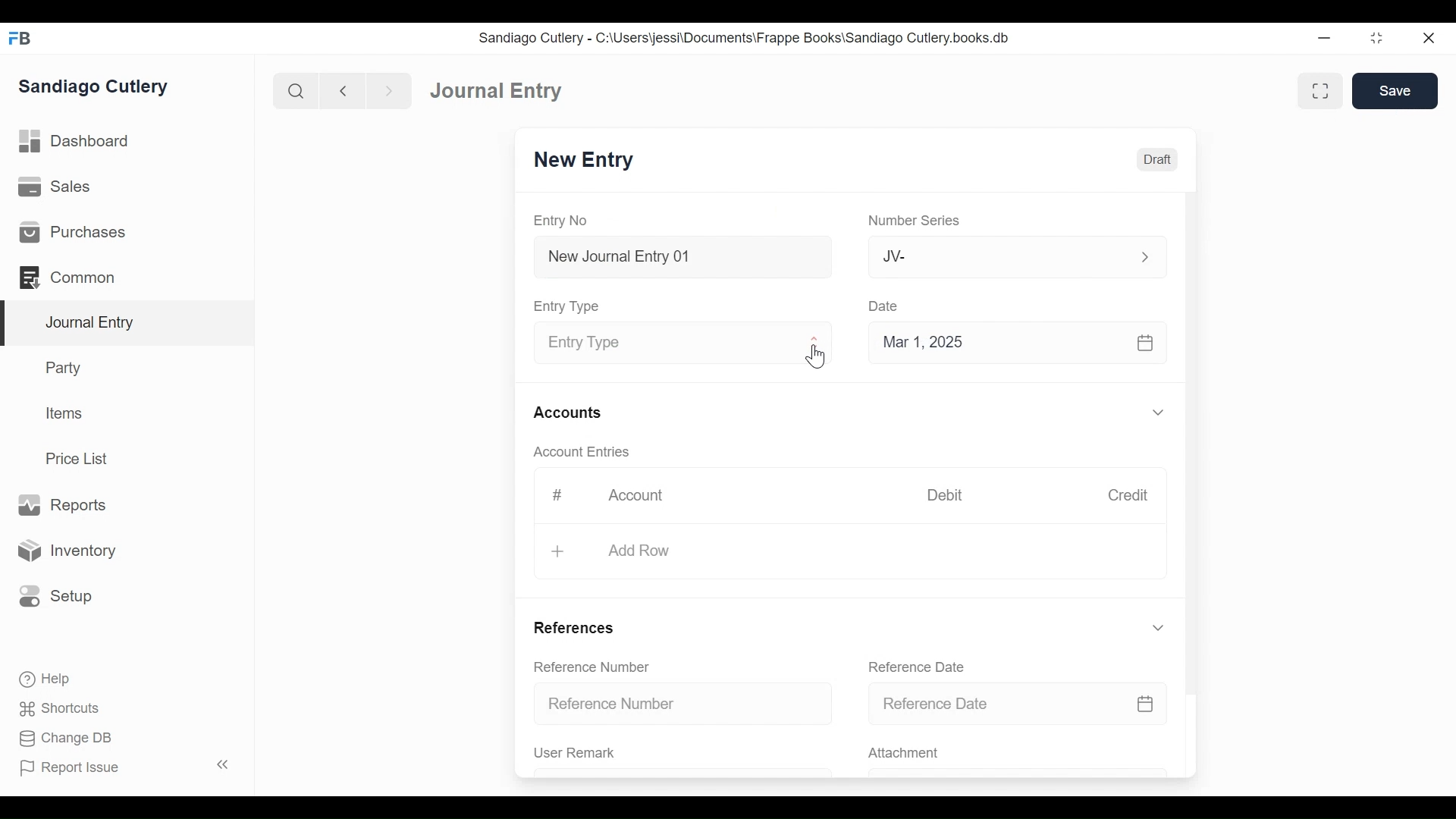 The height and width of the screenshot is (819, 1456). What do you see at coordinates (912, 221) in the screenshot?
I see `Number Series` at bounding box center [912, 221].